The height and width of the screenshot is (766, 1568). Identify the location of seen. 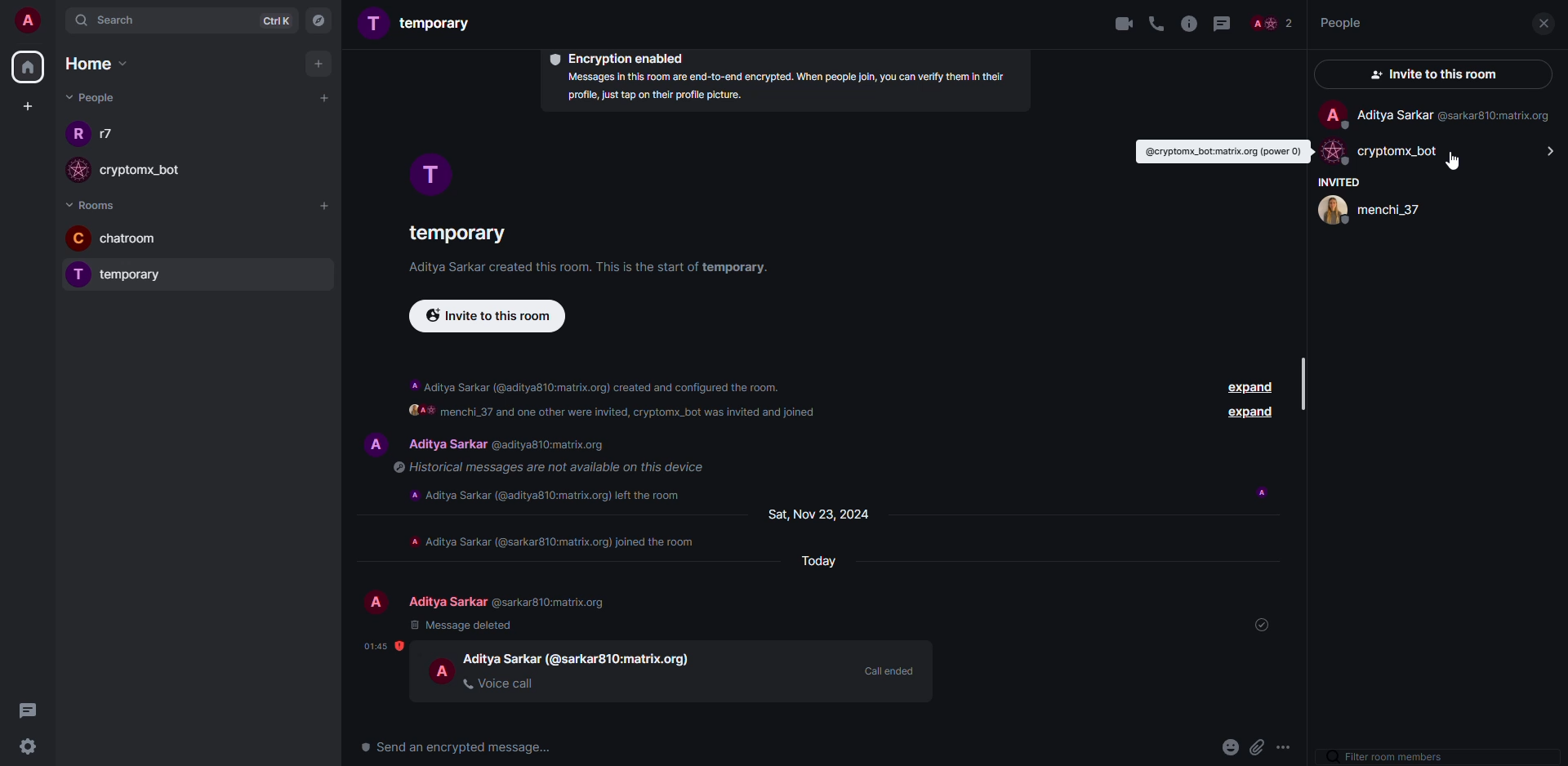
(1263, 492).